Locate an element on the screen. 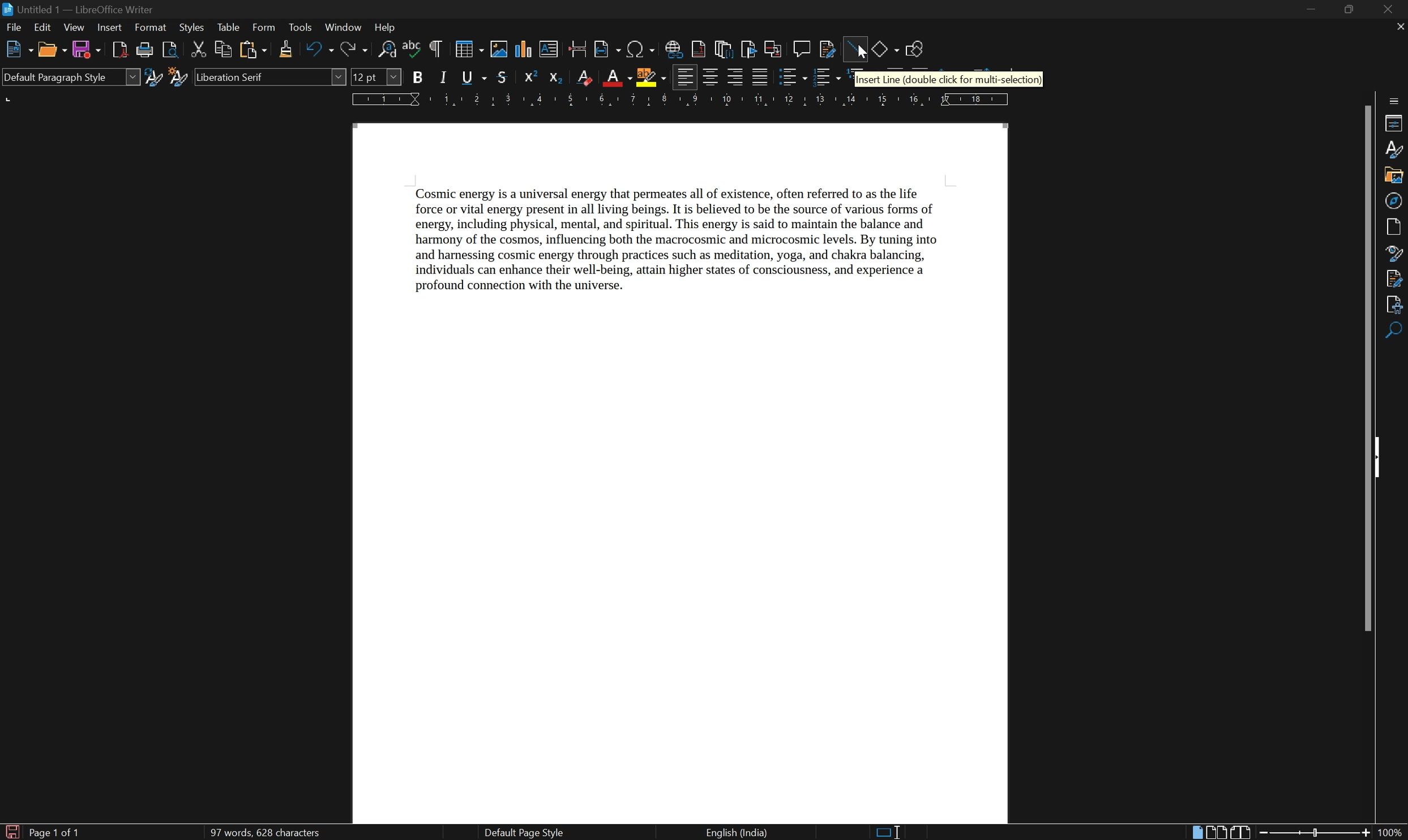 This screenshot has width=1408, height=840. justified is located at coordinates (760, 78).